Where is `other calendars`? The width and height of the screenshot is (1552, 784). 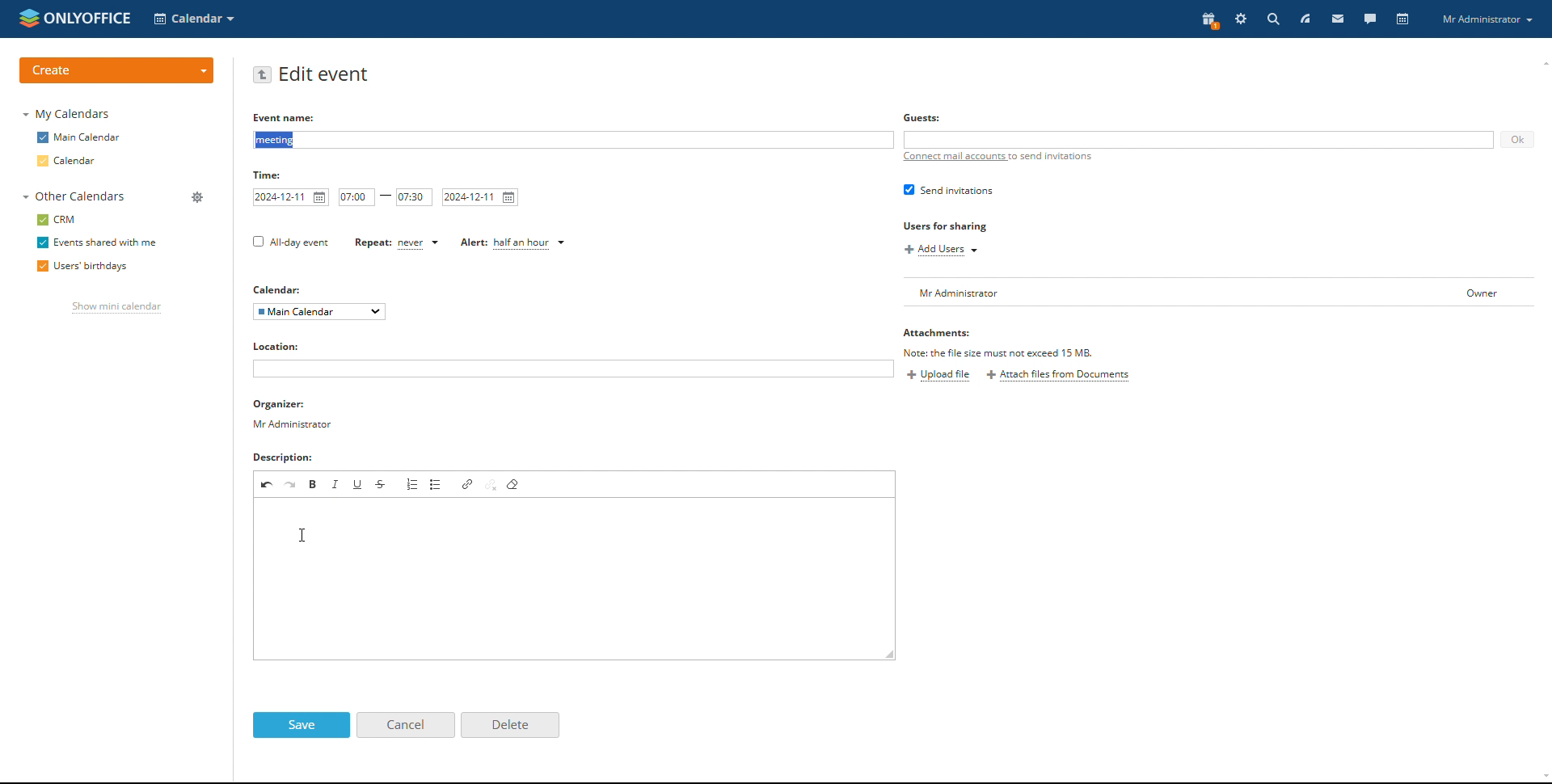
other calendars is located at coordinates (74, 196).